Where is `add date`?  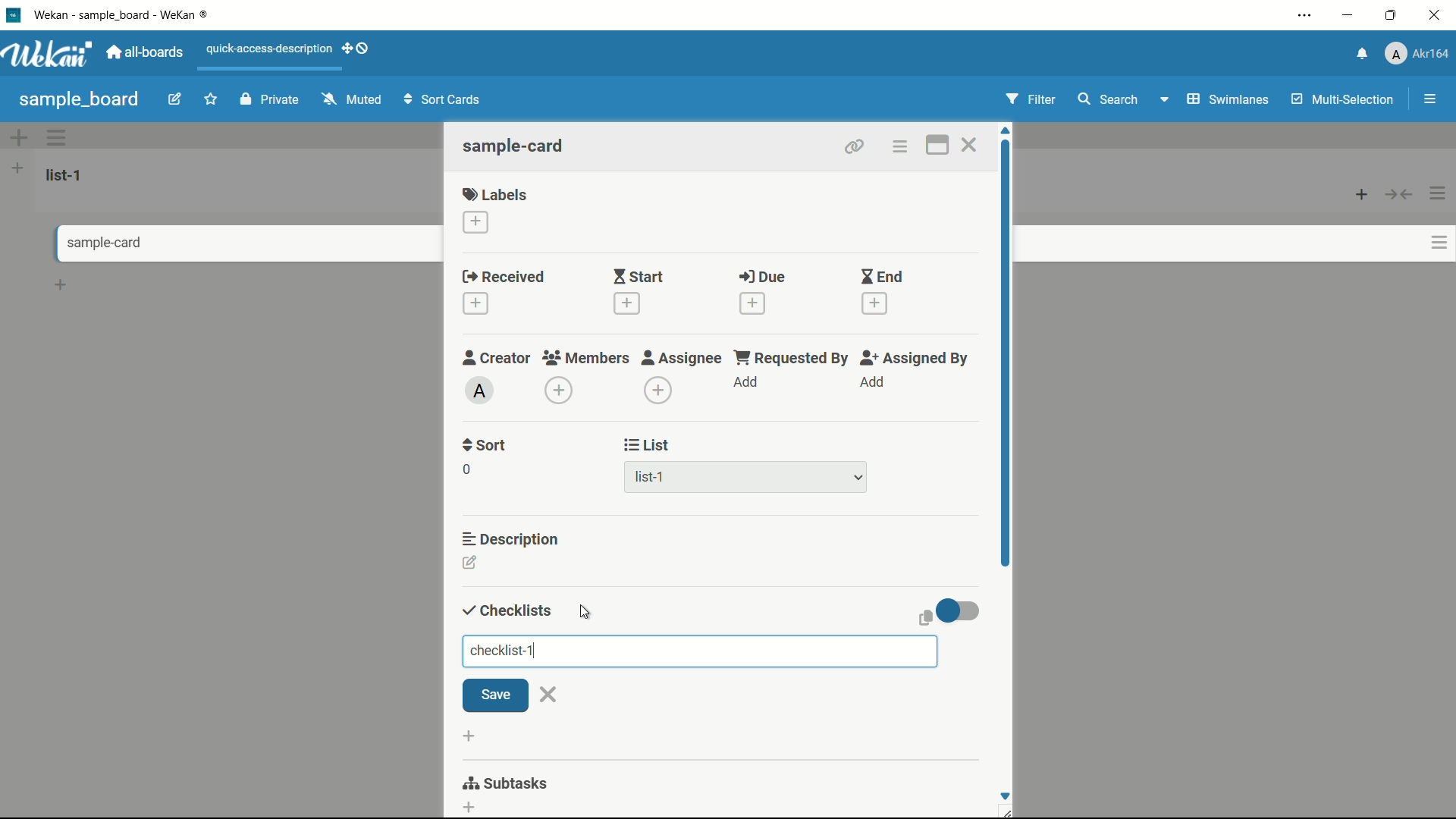
add date is located at coordinates (752, 303).